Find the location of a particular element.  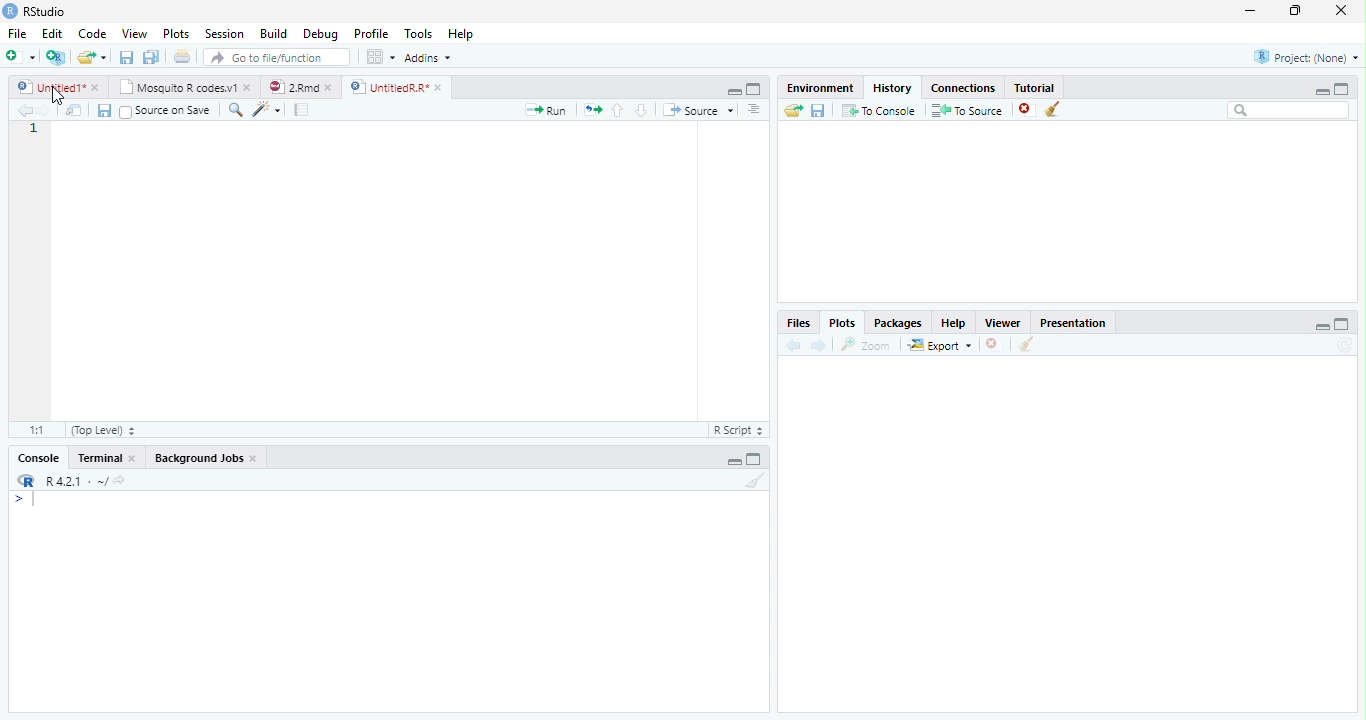

Files is located at coordinates (800, 322).